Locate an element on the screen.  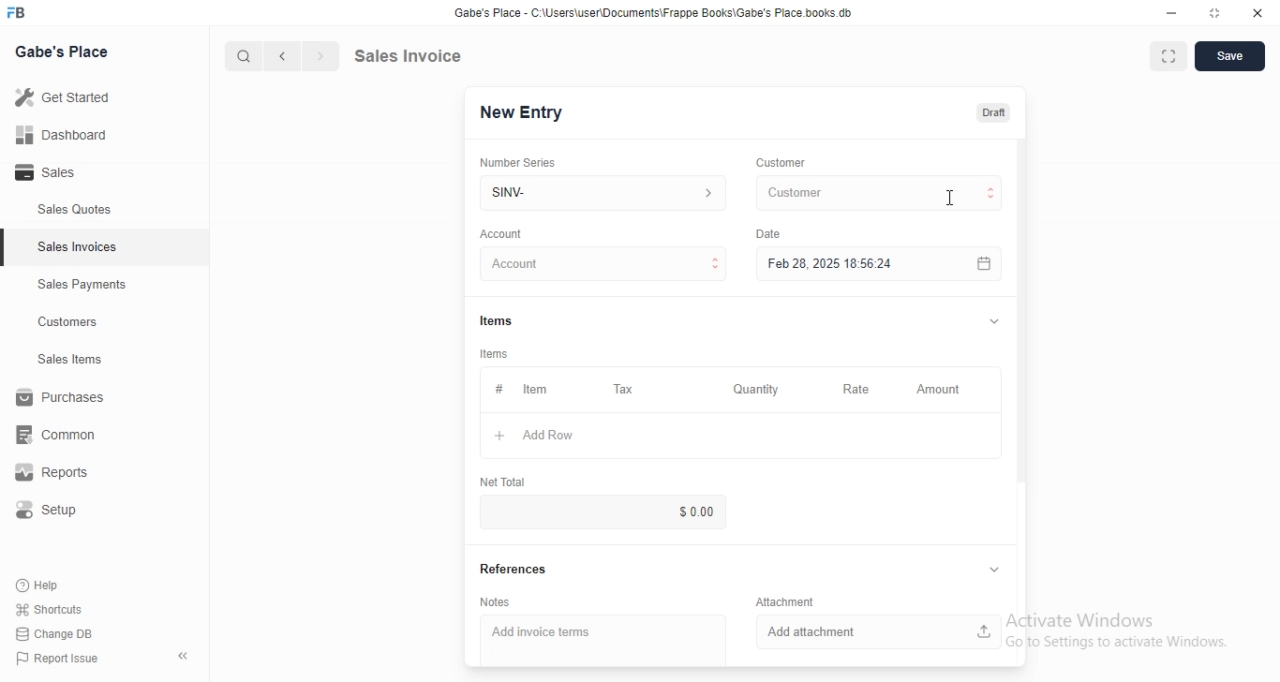
Sales Invoices is located at coordinates (79, 247).